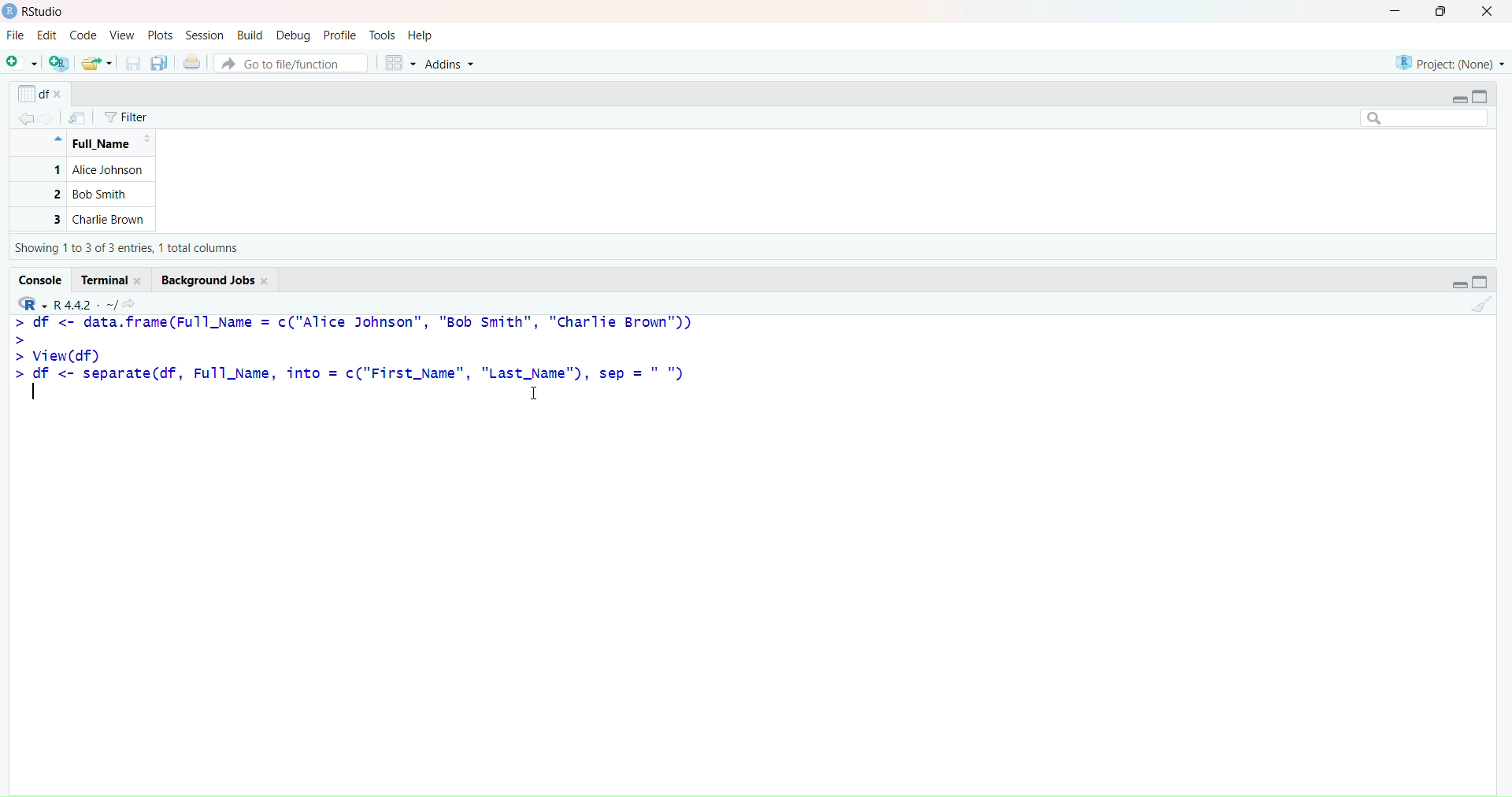 Image resolution: width=1512 pixels, height=797 pixels. I want to click on Maximize, so click(1486, 96).